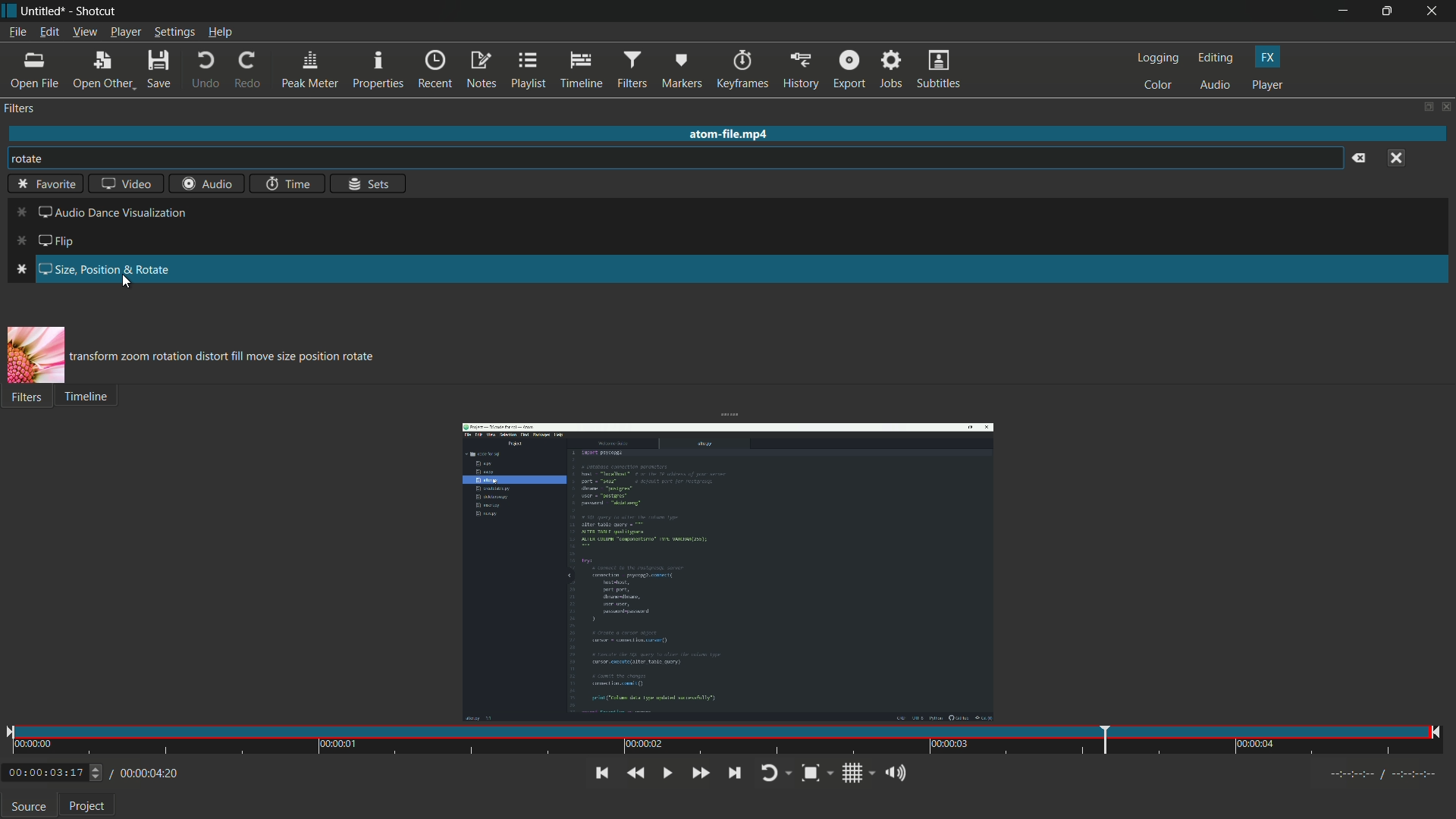 The height and width of the screenshot is (819, 1456). Describe the element at coordinates (941, 70) in the screenshot. I see `subtitles` at that location.